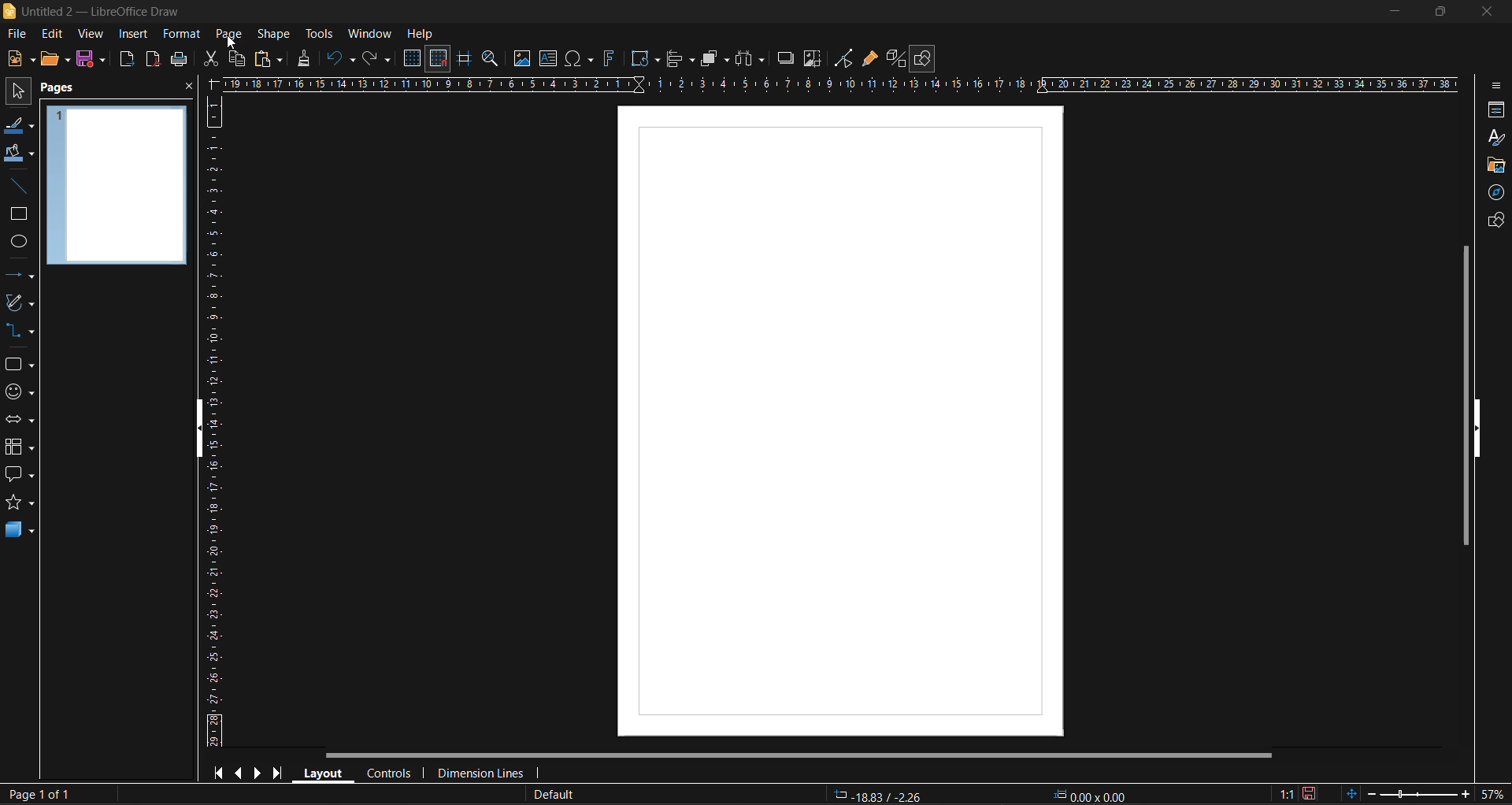 The width and height of the screenshot is (1512, 805). I want to click on transformations, so click(646, 58).